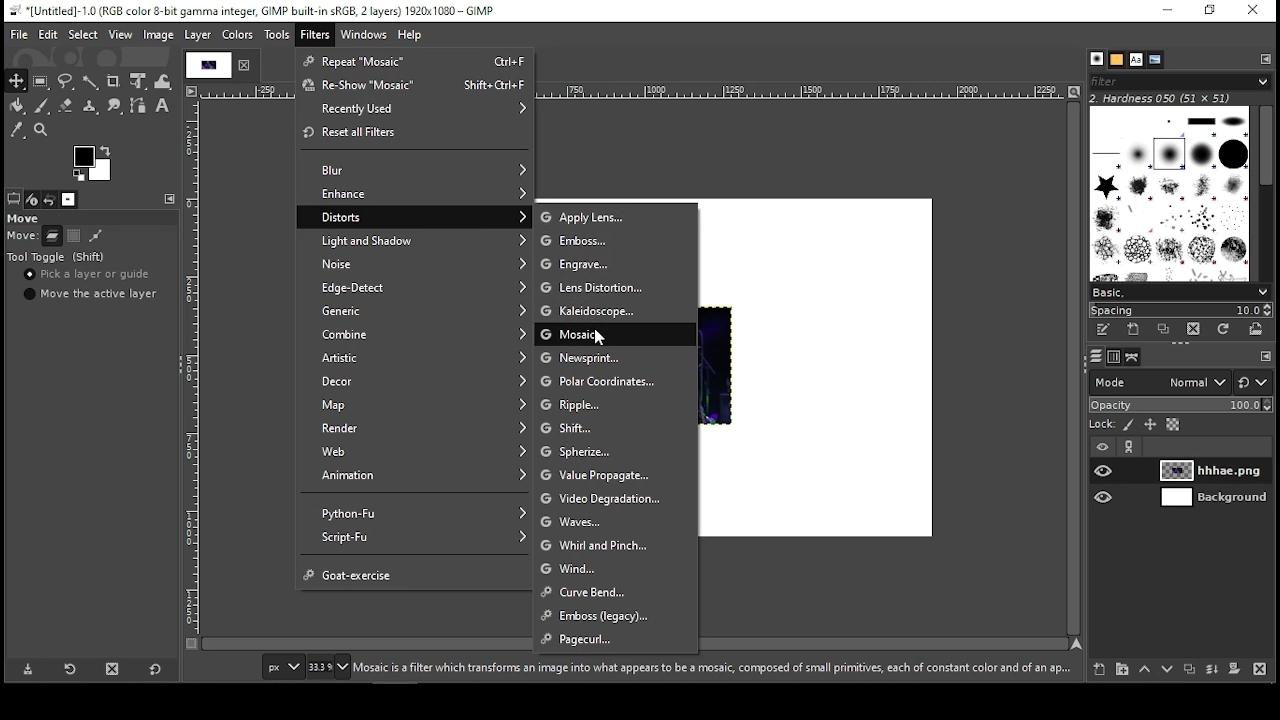  Describe the element at coordinates (220, 65) in the screenshot. I see `project tab` at that location.